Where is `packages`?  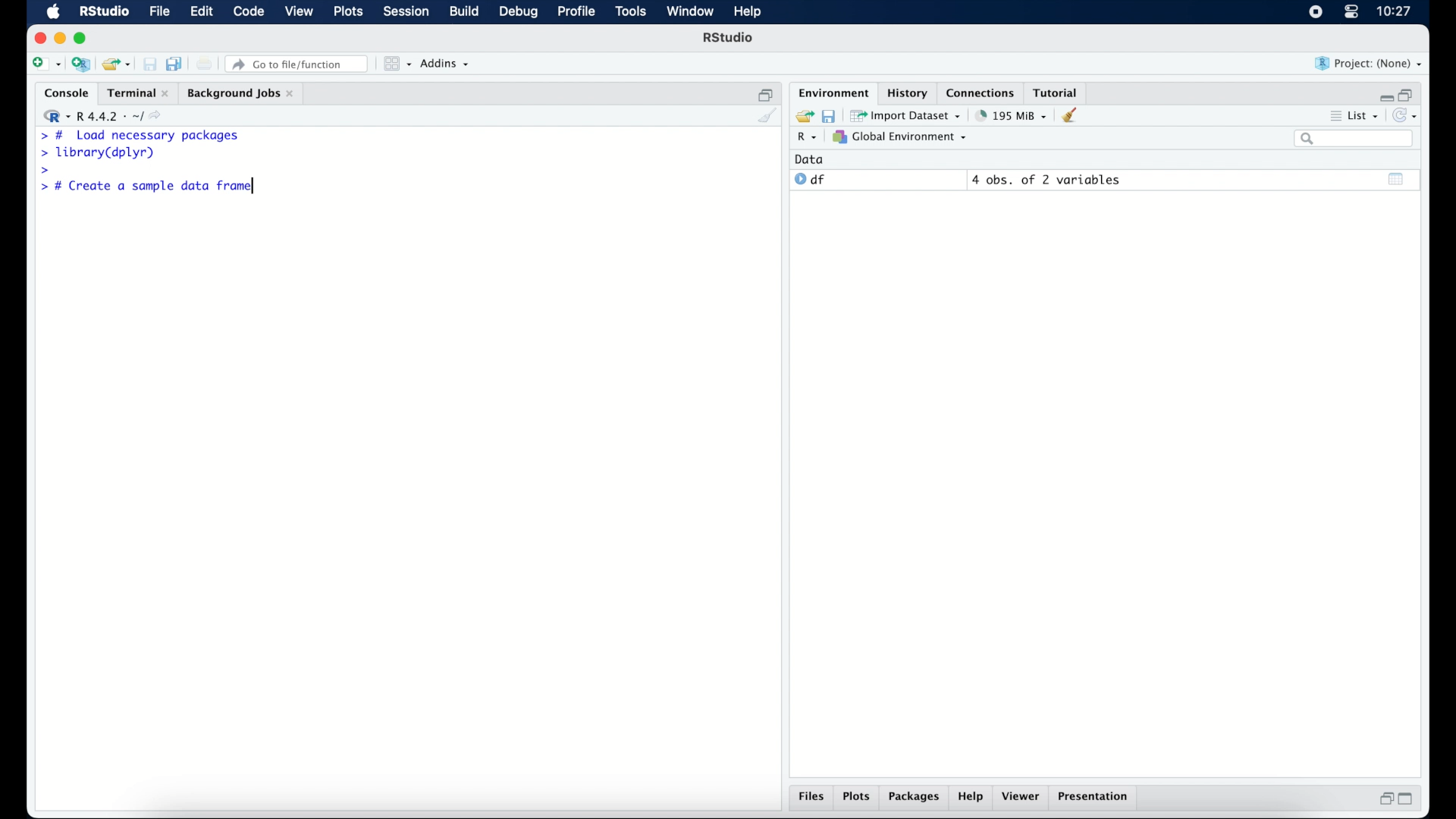 packages is located at coordinates (915, 799).